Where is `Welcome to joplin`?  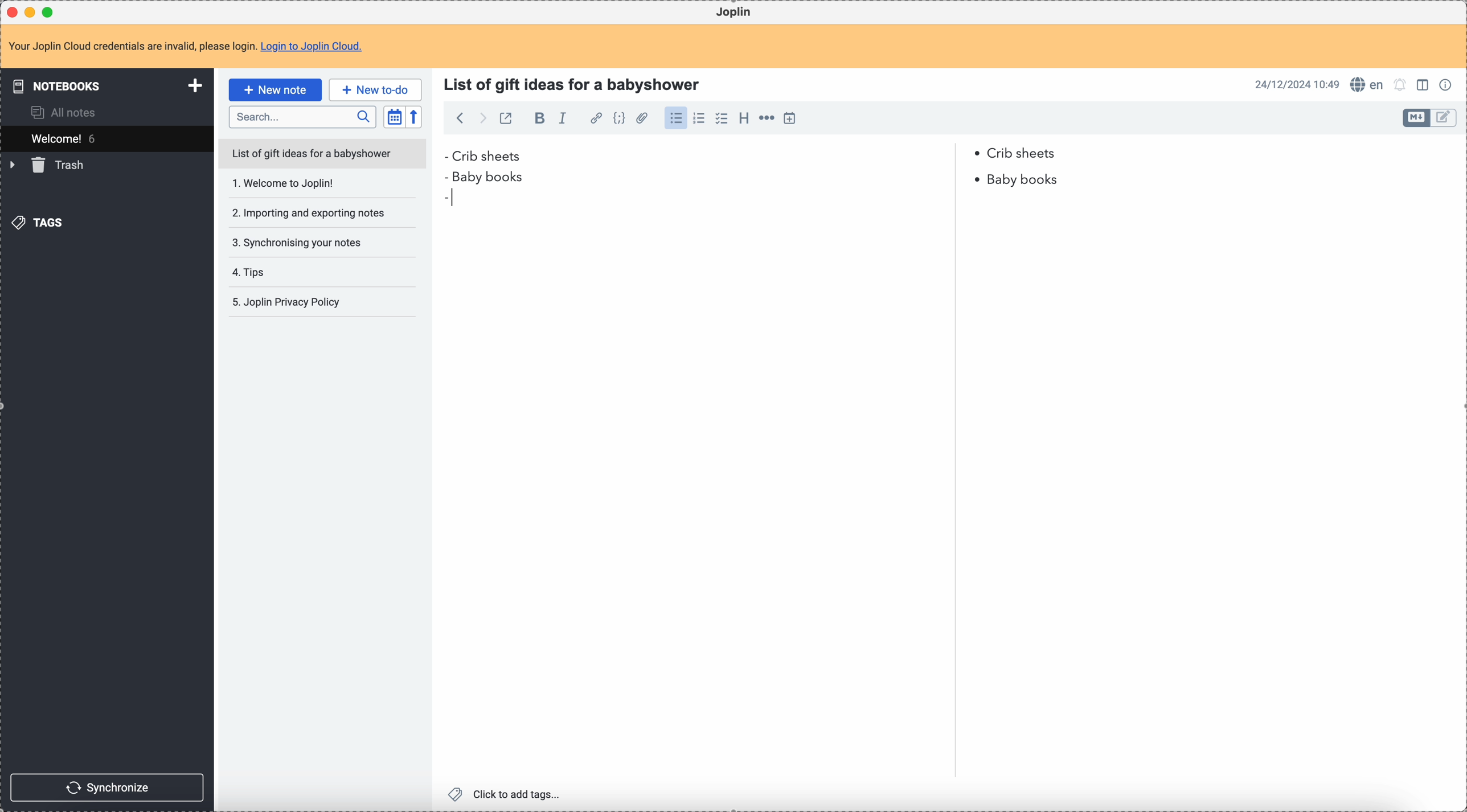 Welcome to joplin is located at coordinates (310, 186).